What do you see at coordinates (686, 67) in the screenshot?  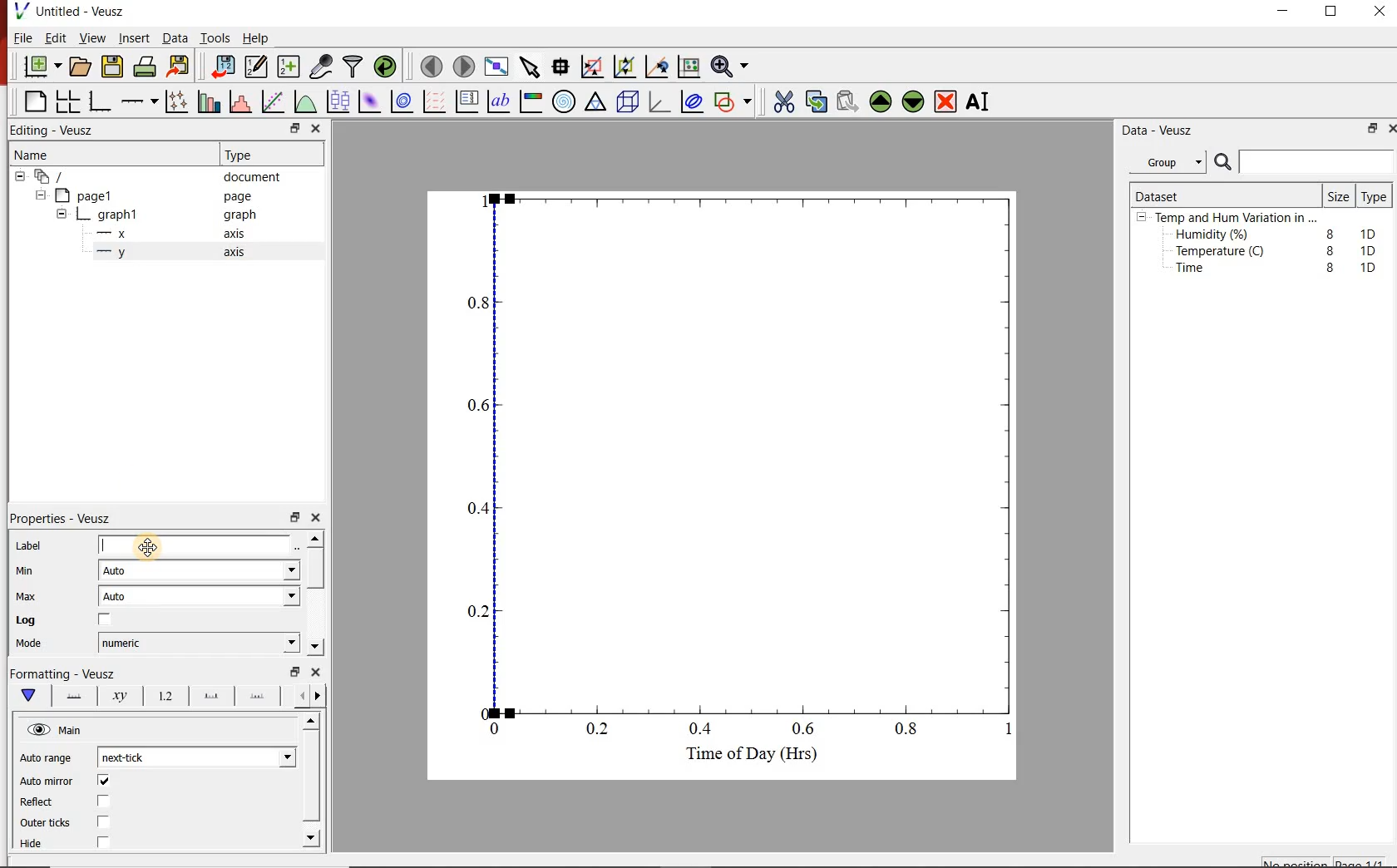 I see `click to reset graph axes` at bounding box center [686, 67].